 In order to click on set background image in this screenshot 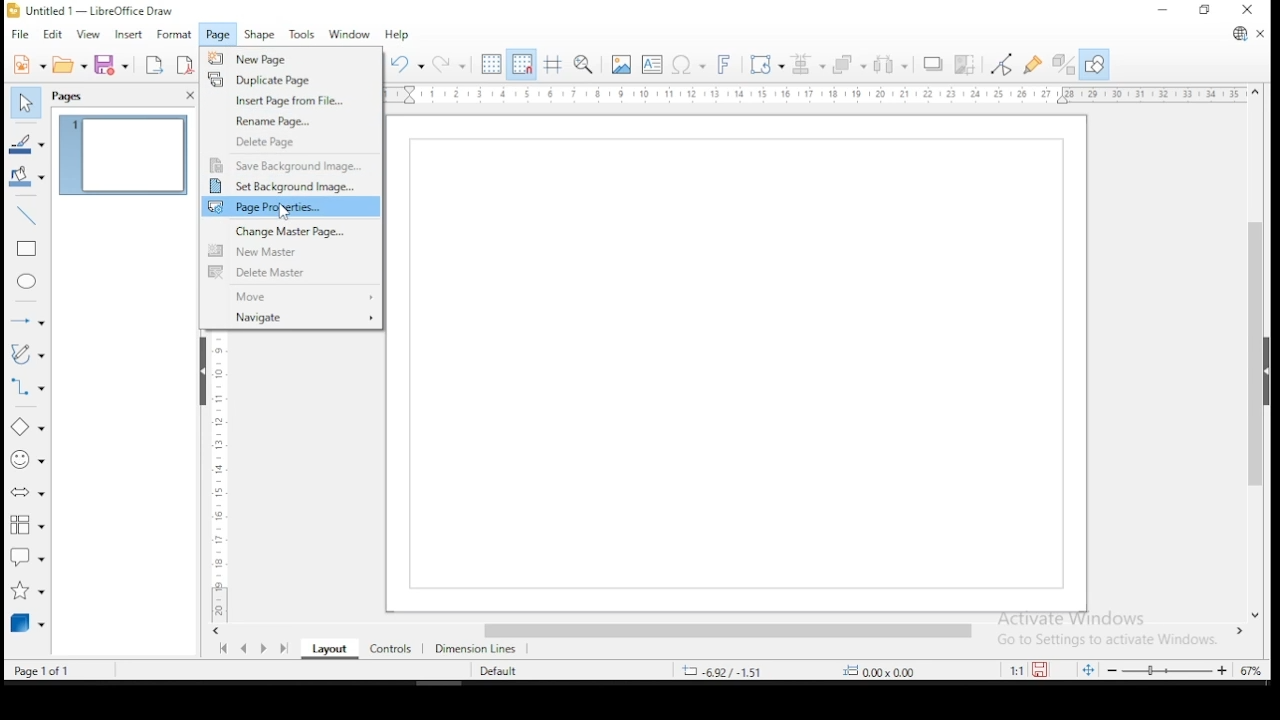, I will do `click(292, 186)`.